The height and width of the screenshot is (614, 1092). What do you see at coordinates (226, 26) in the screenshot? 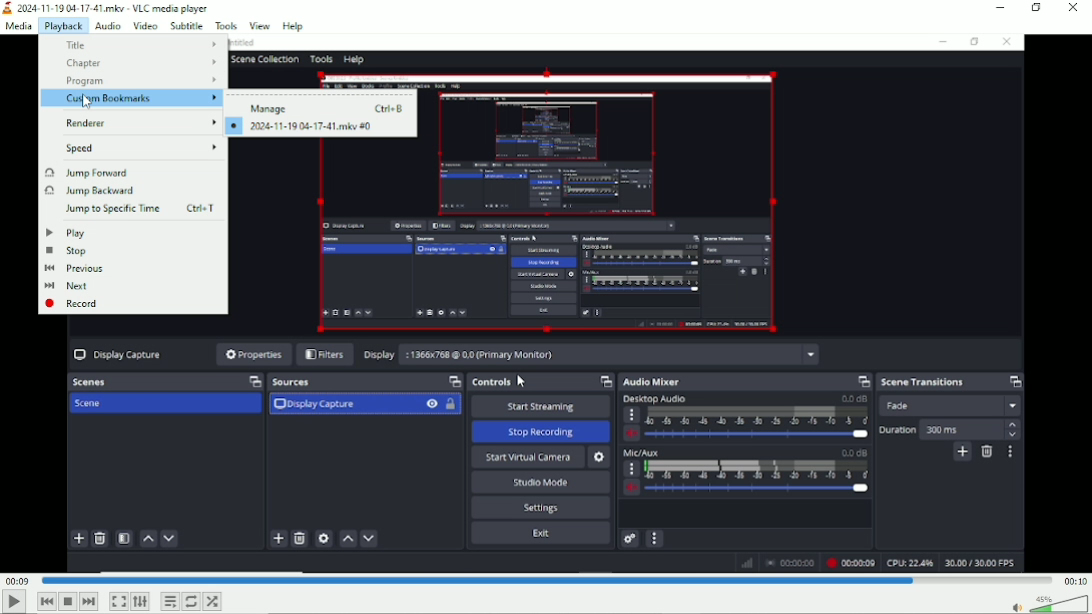
I see `Tools` at bounding box center [226, 26].